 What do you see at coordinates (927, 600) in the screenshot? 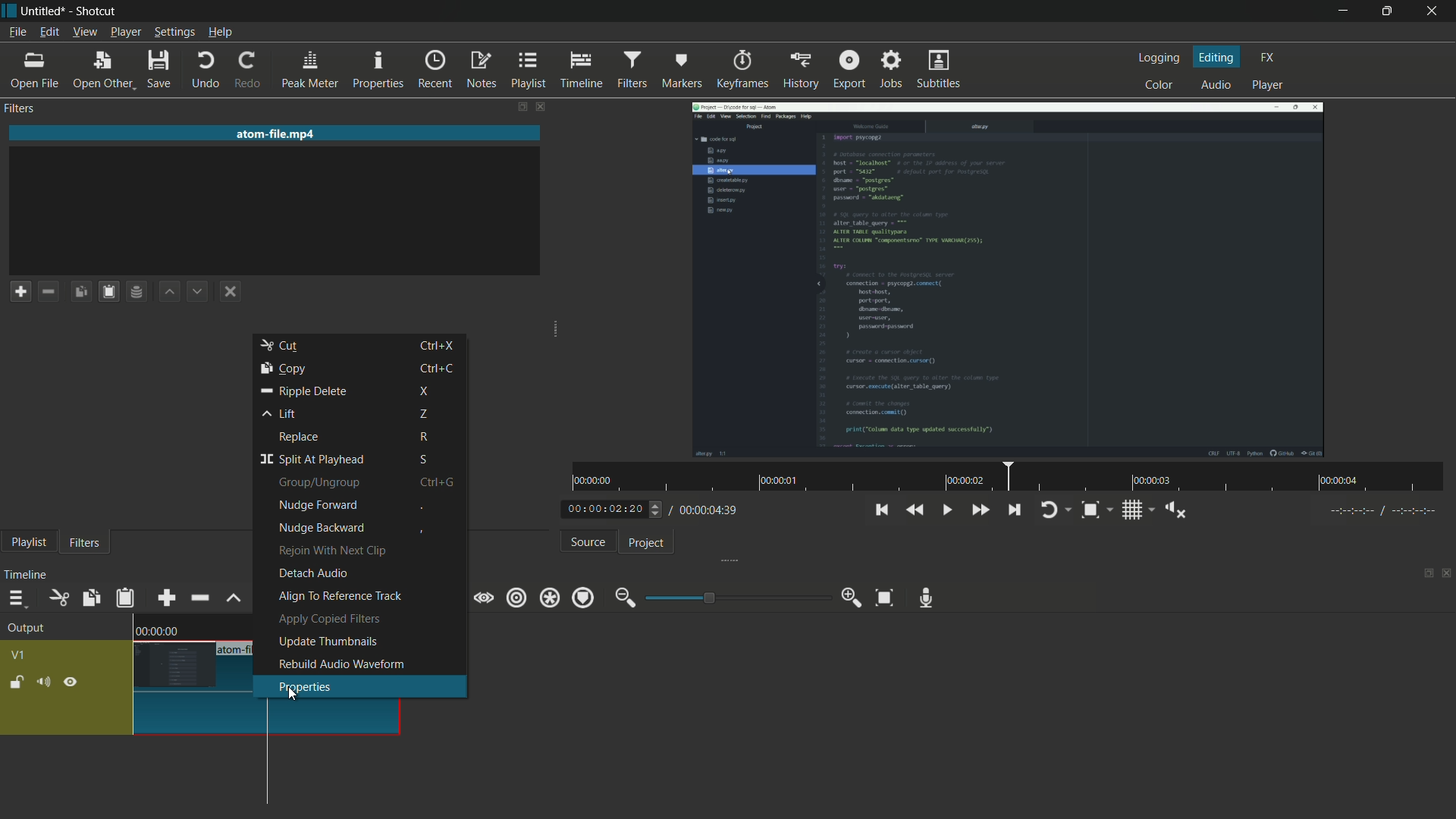
I see `record audio` at bounding box center [927, 600].